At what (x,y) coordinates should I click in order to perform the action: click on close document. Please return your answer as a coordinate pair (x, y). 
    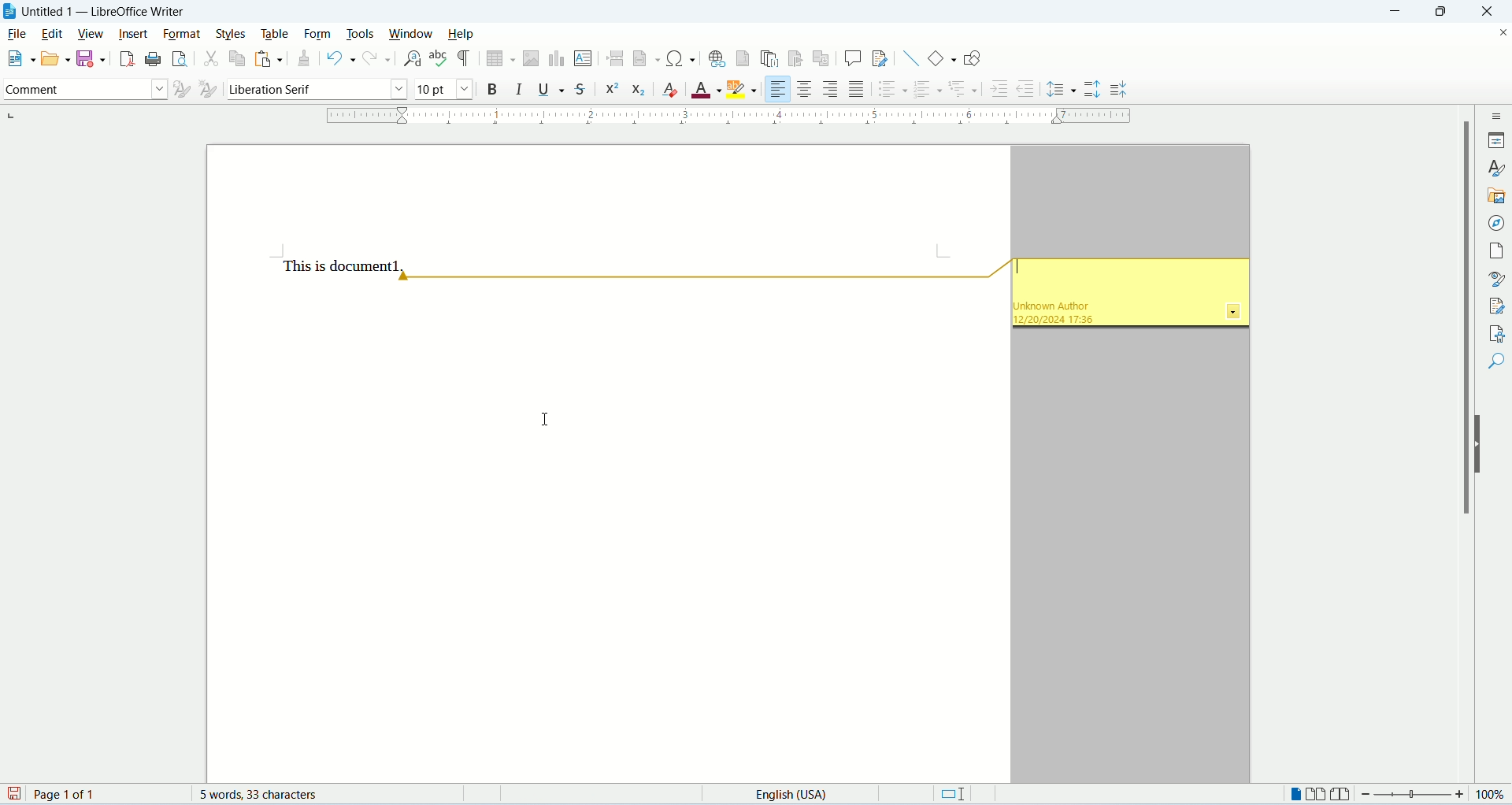
    Looking at the image, I should click on (1499, 32).